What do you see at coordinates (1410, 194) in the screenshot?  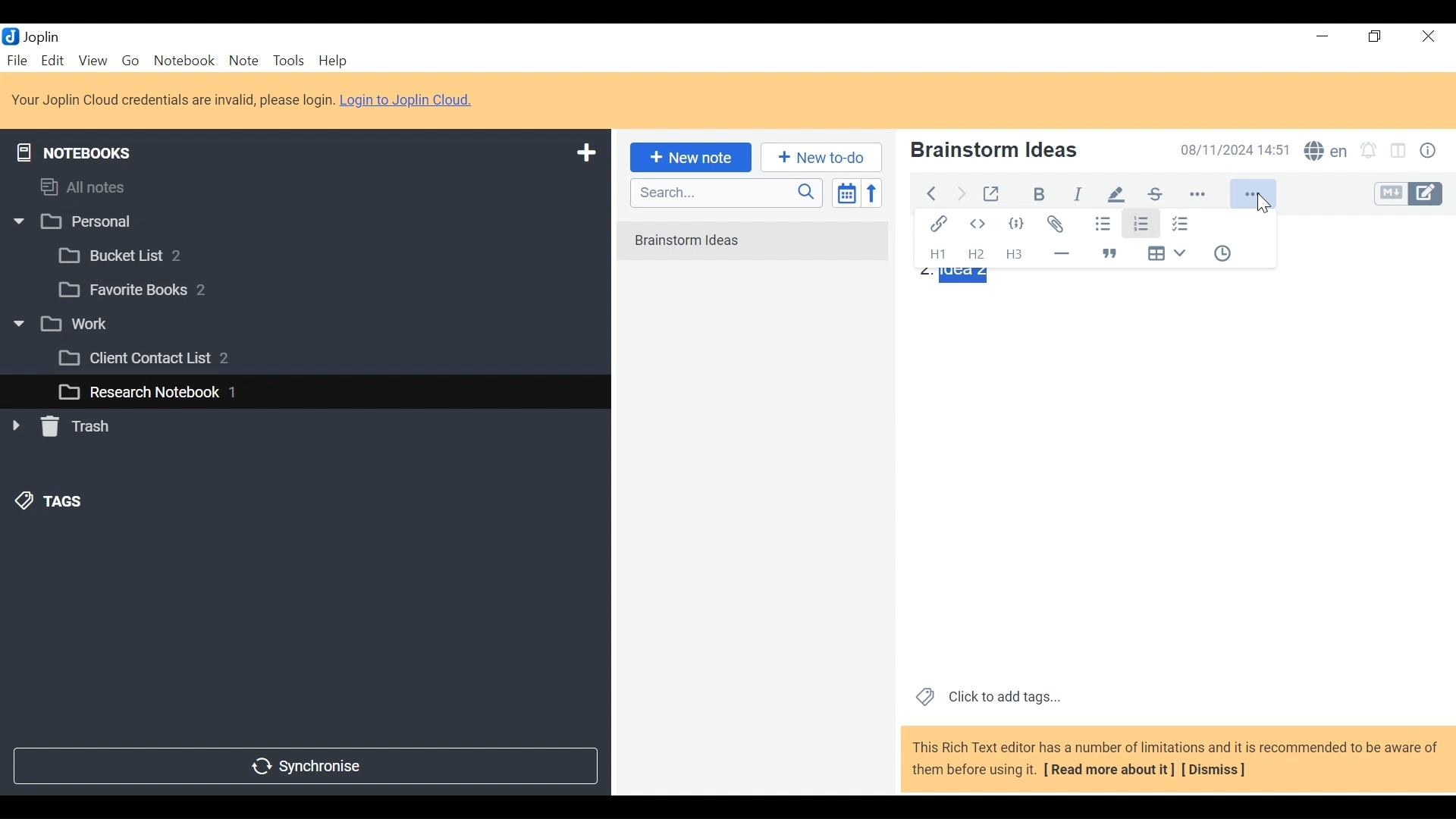 I see `Toggle Editor` at bounding box center [1410, 194].